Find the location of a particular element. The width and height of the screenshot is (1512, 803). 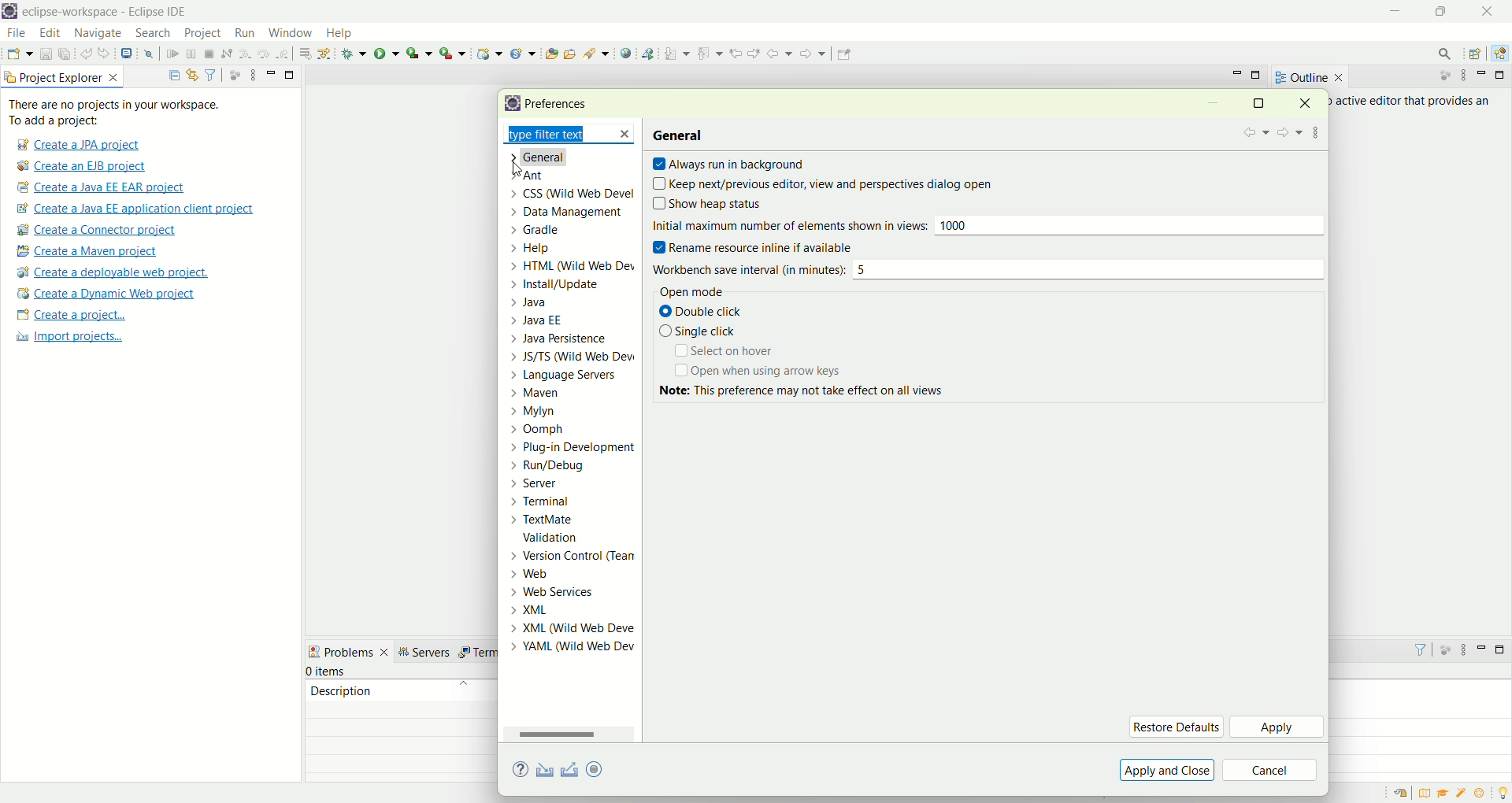

use step filters is located at coordinates (325, 53).